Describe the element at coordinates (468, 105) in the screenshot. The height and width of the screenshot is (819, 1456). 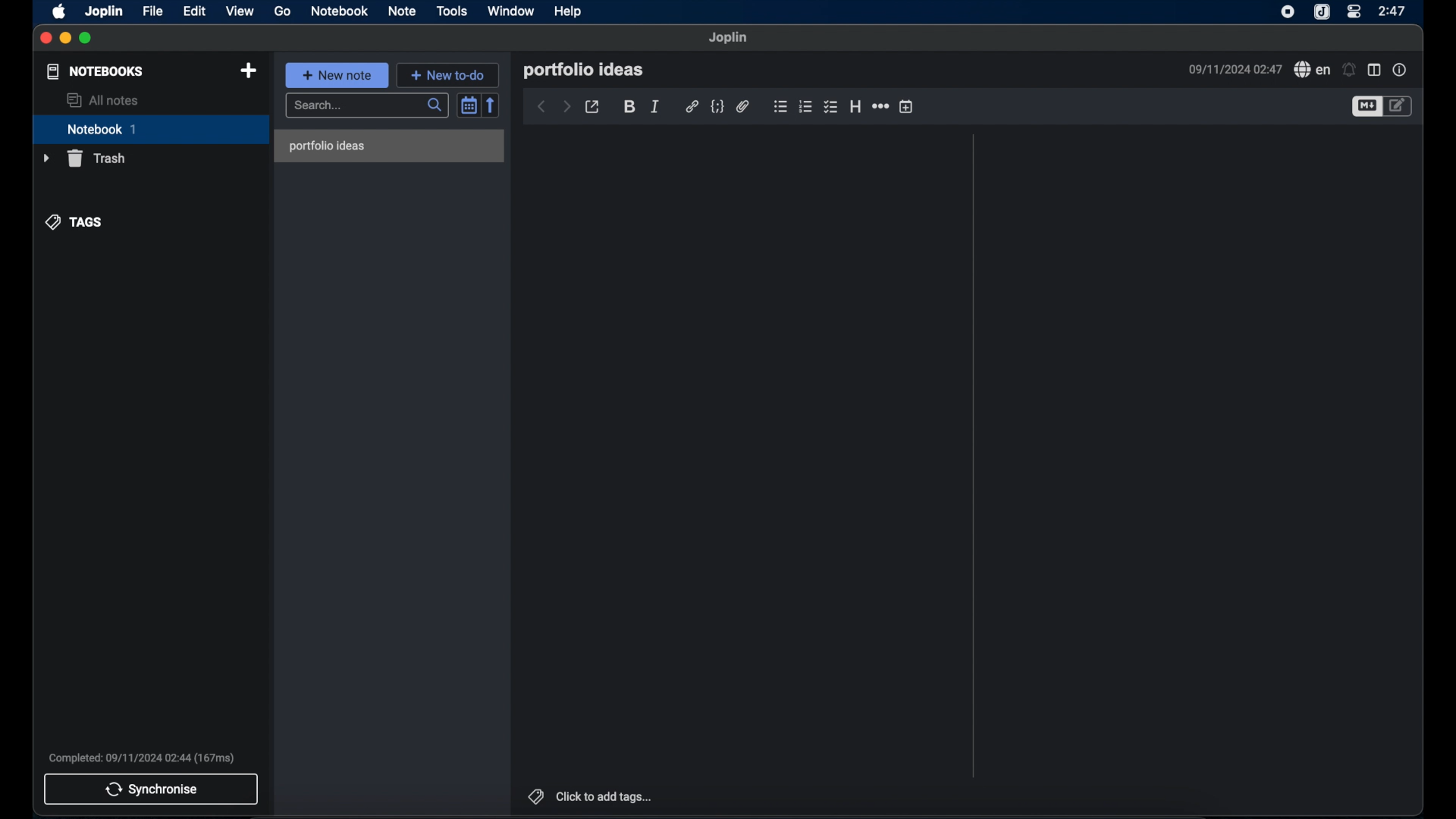
I see `toggle sort order field` at that location.